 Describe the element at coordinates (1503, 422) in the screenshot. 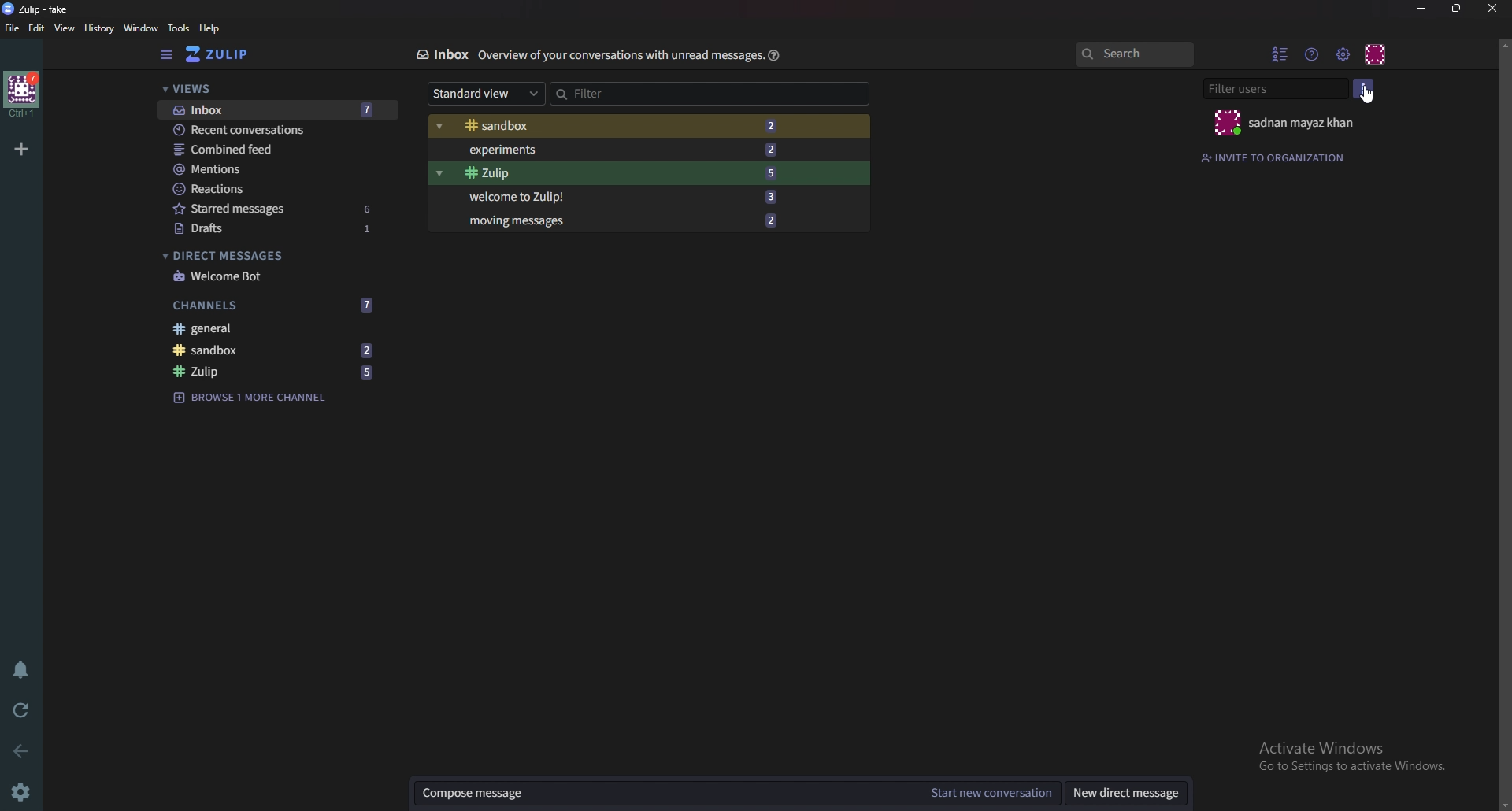

I see `Scroll bar` at that location.